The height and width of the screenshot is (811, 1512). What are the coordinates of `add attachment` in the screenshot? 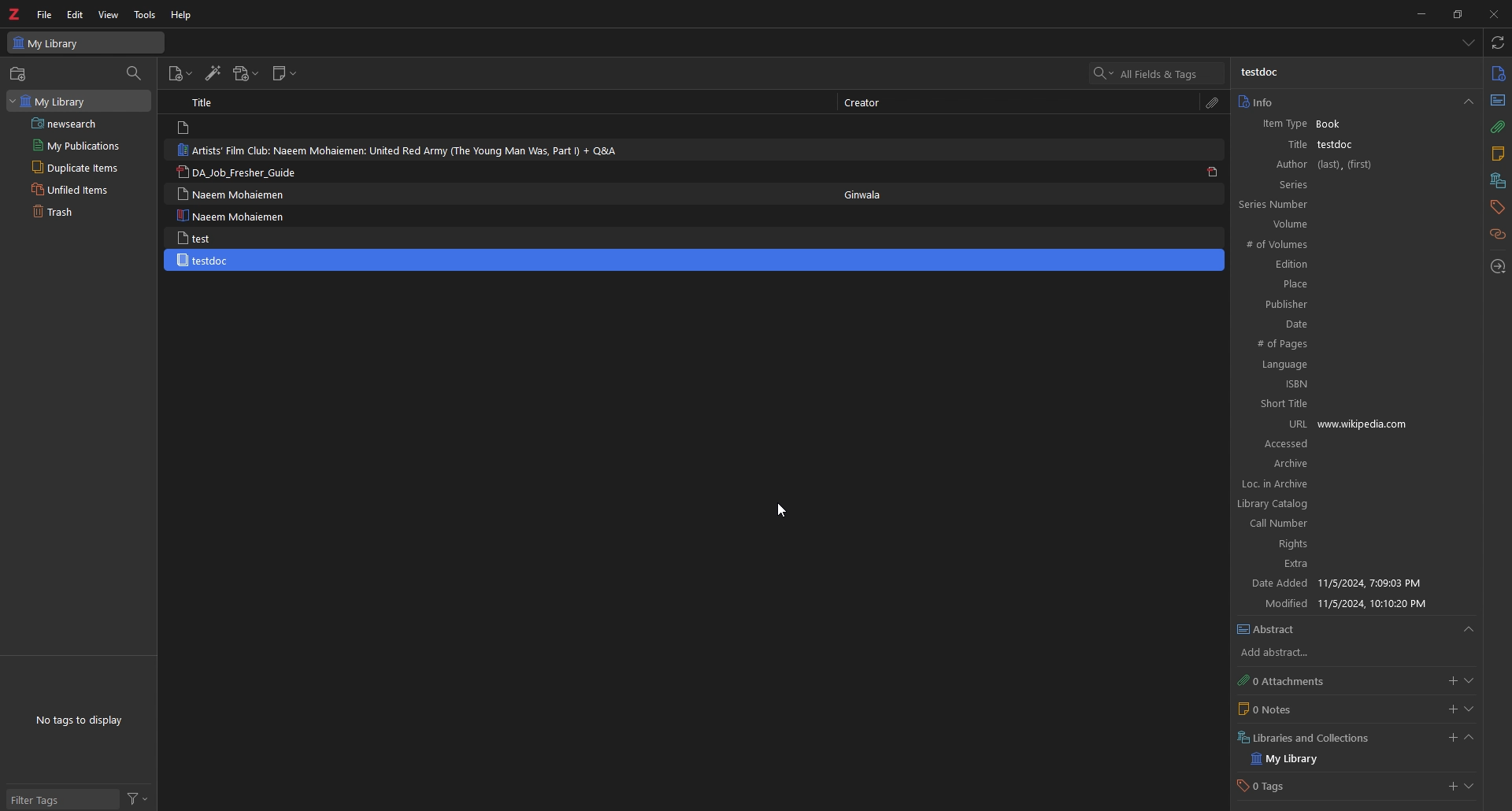 It's located at (246, 73).